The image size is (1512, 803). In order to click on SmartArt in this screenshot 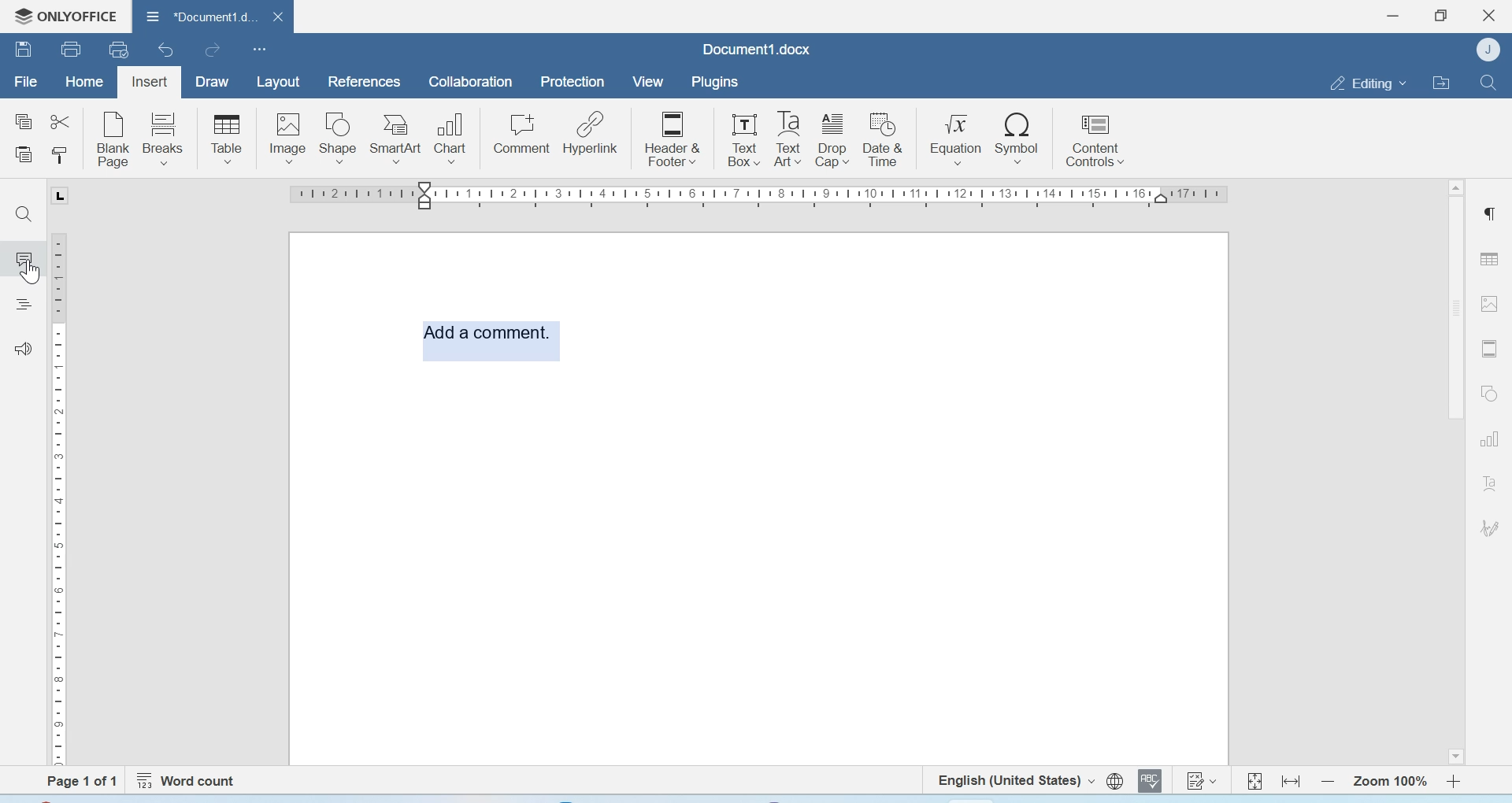, I will do `click(396, 139)`.